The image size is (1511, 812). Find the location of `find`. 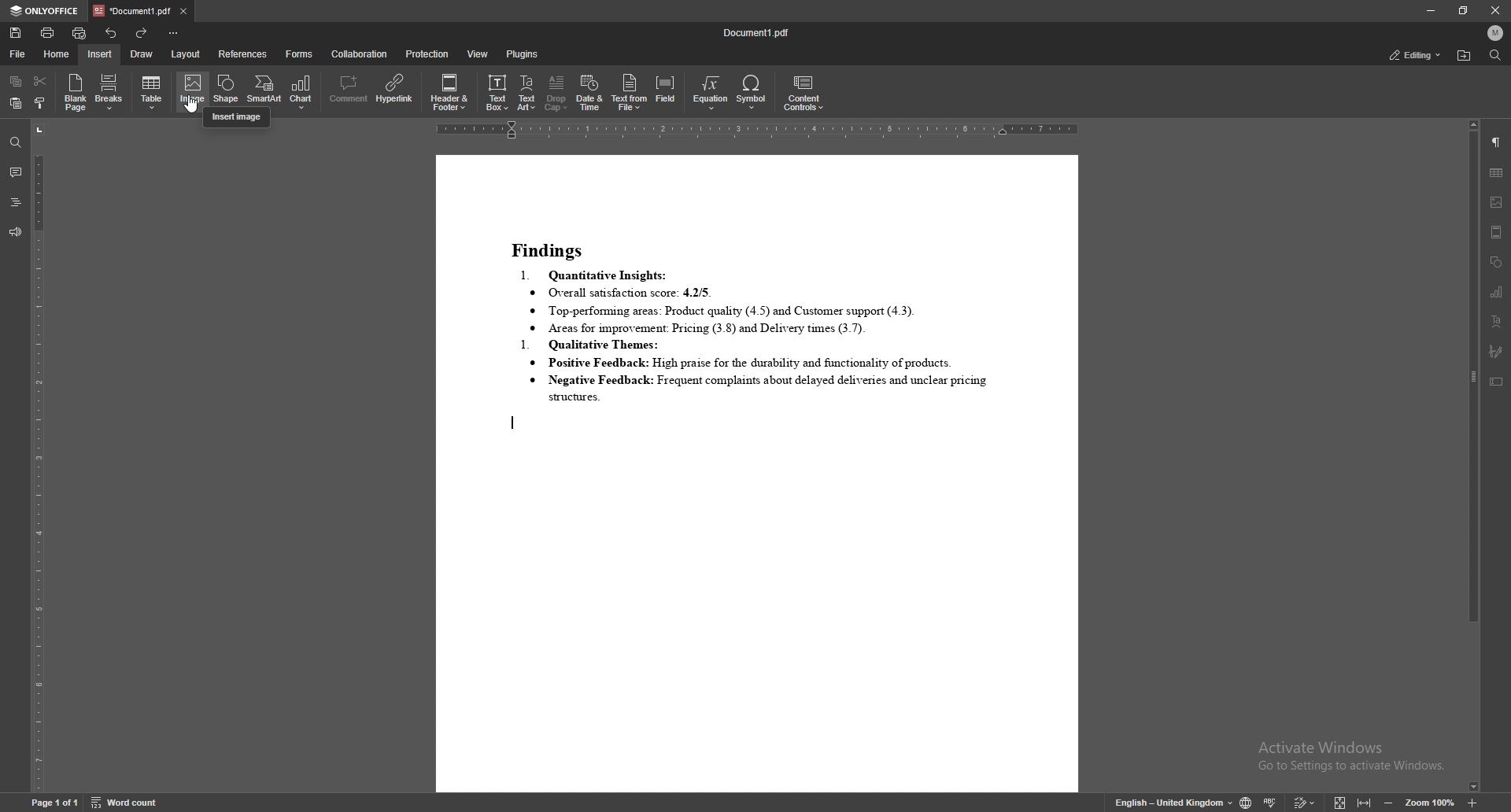

find is located at coordinates (1495, 54).